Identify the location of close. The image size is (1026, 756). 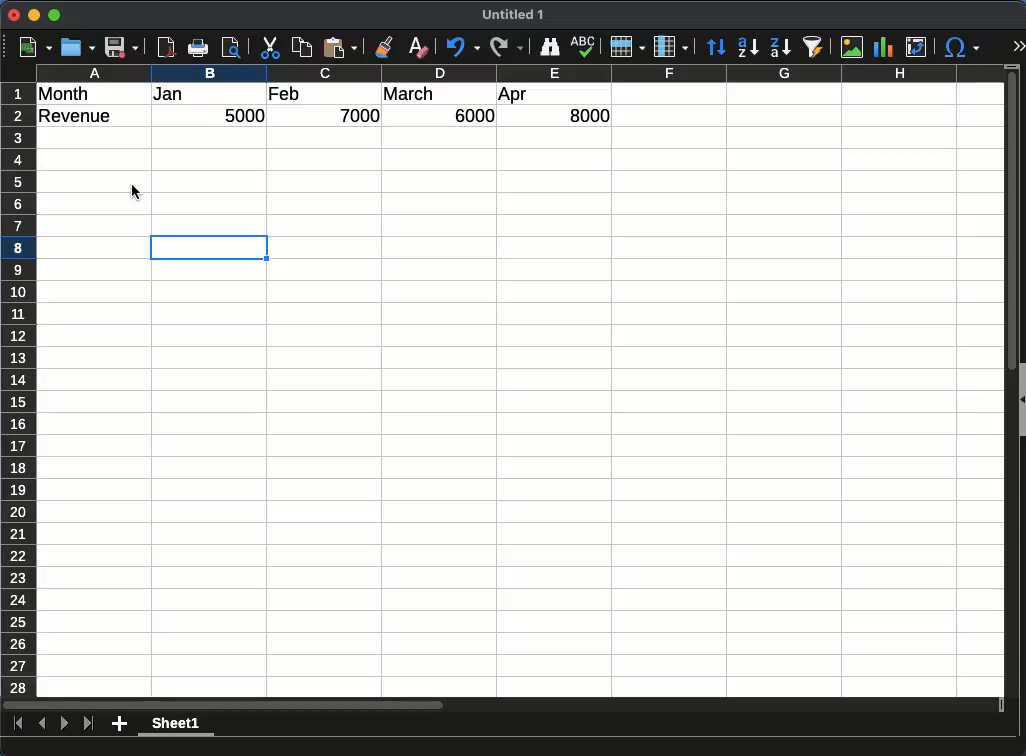
(14, 15).